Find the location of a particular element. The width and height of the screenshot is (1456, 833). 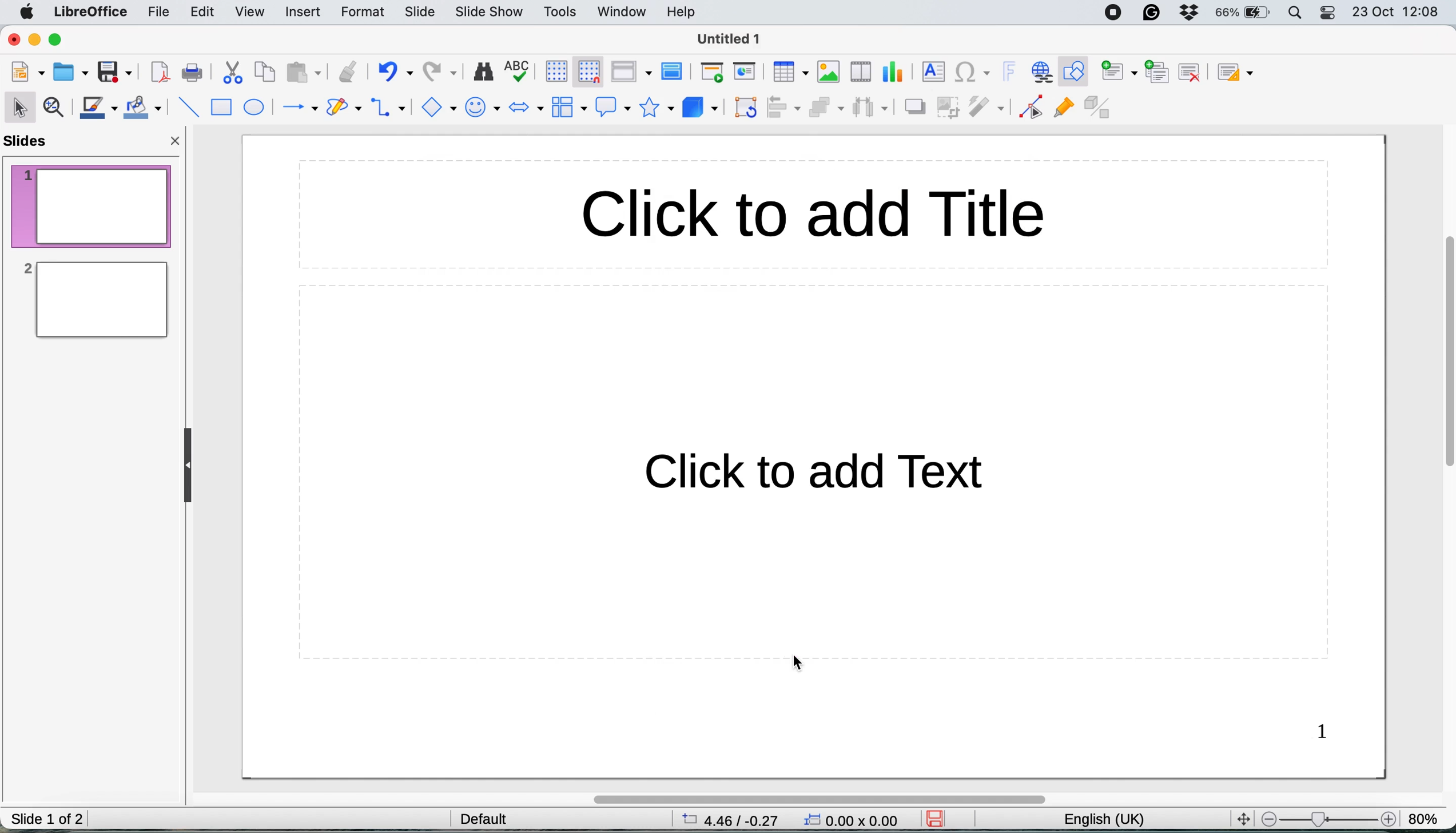

insert chart is located at coordinates (829, 71).